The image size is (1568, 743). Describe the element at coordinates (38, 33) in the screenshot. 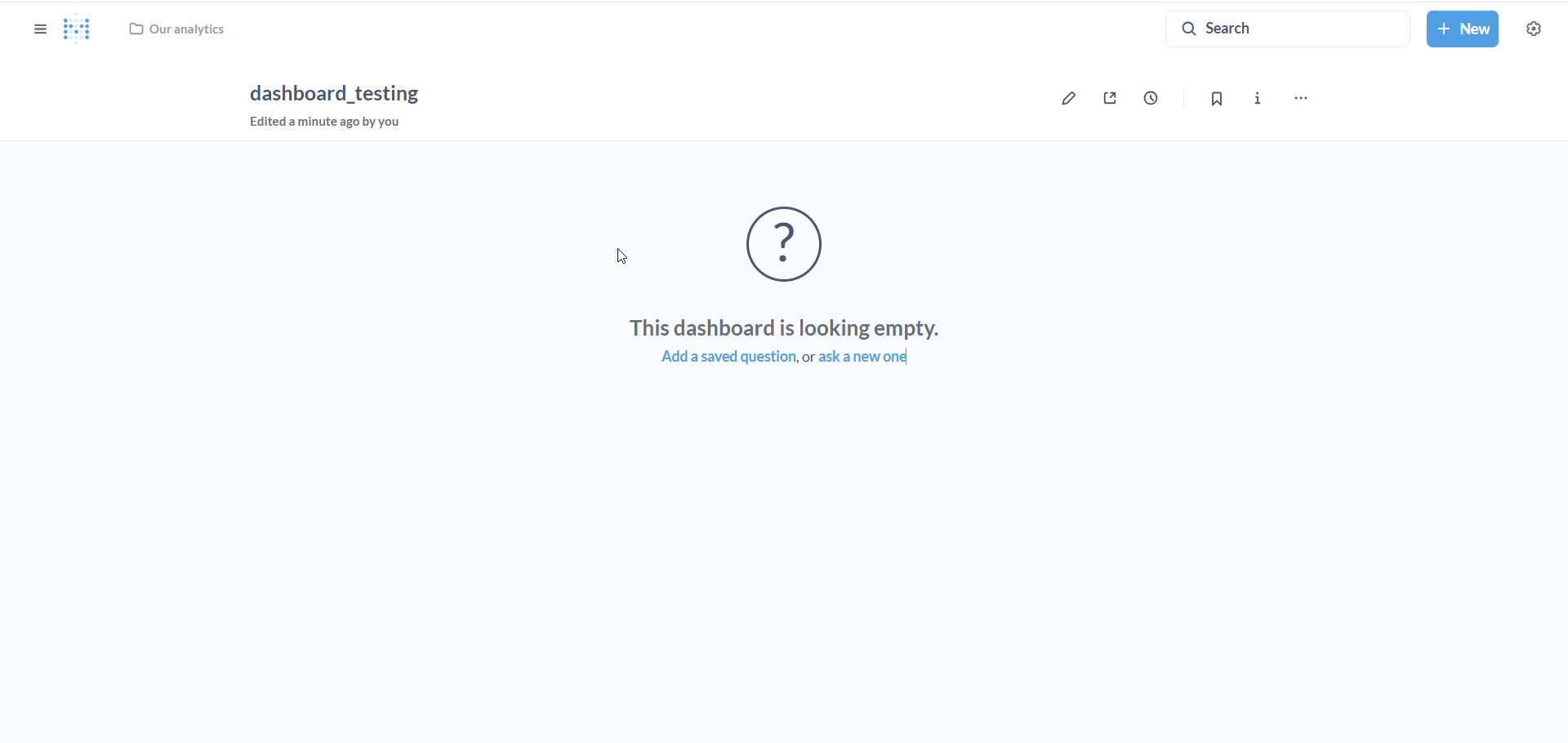

I see `show/hide side bar` at that location.